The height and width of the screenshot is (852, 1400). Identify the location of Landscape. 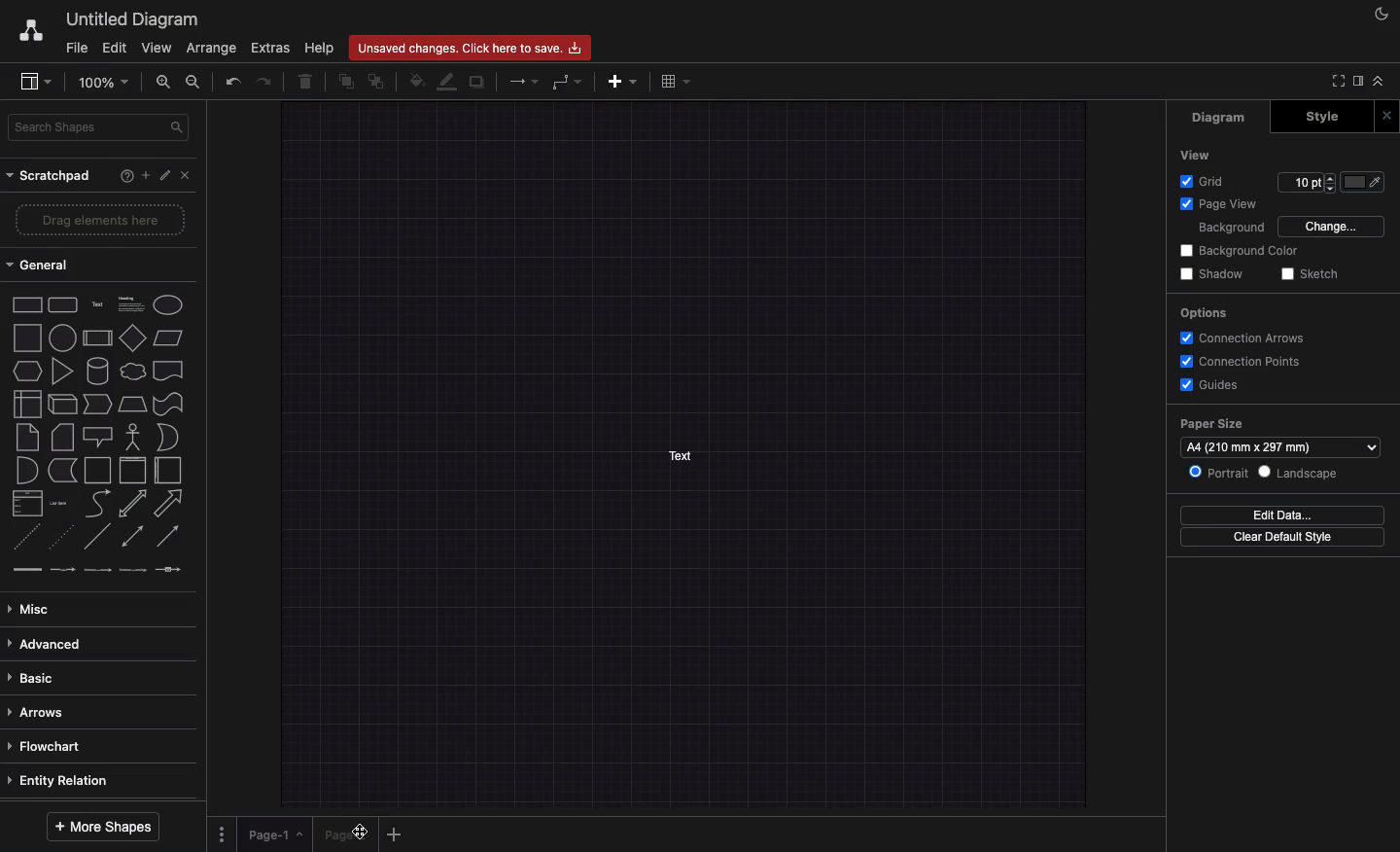
(1304, 473).